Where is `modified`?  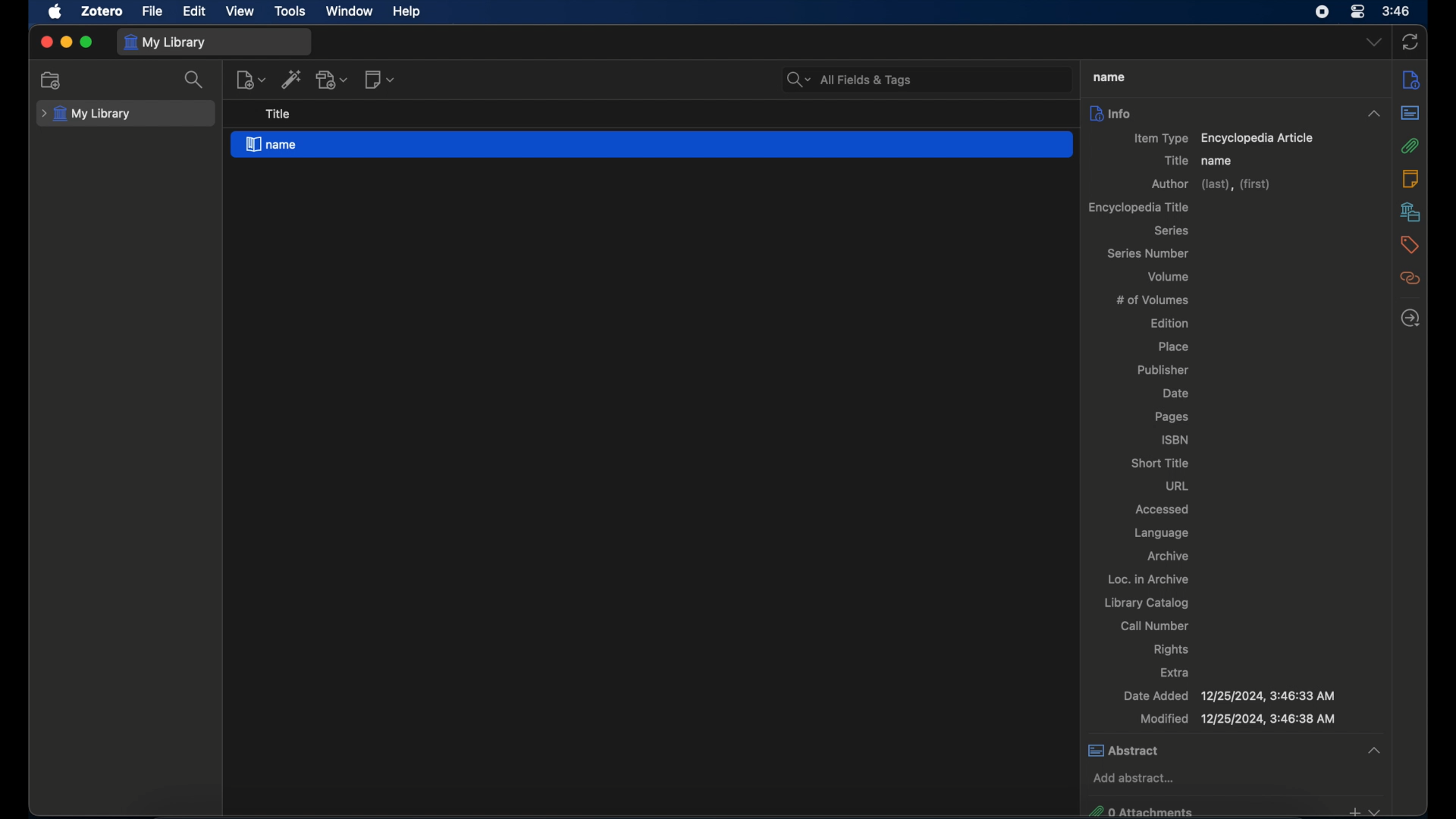 modified is located at coordinates (1238, 719).